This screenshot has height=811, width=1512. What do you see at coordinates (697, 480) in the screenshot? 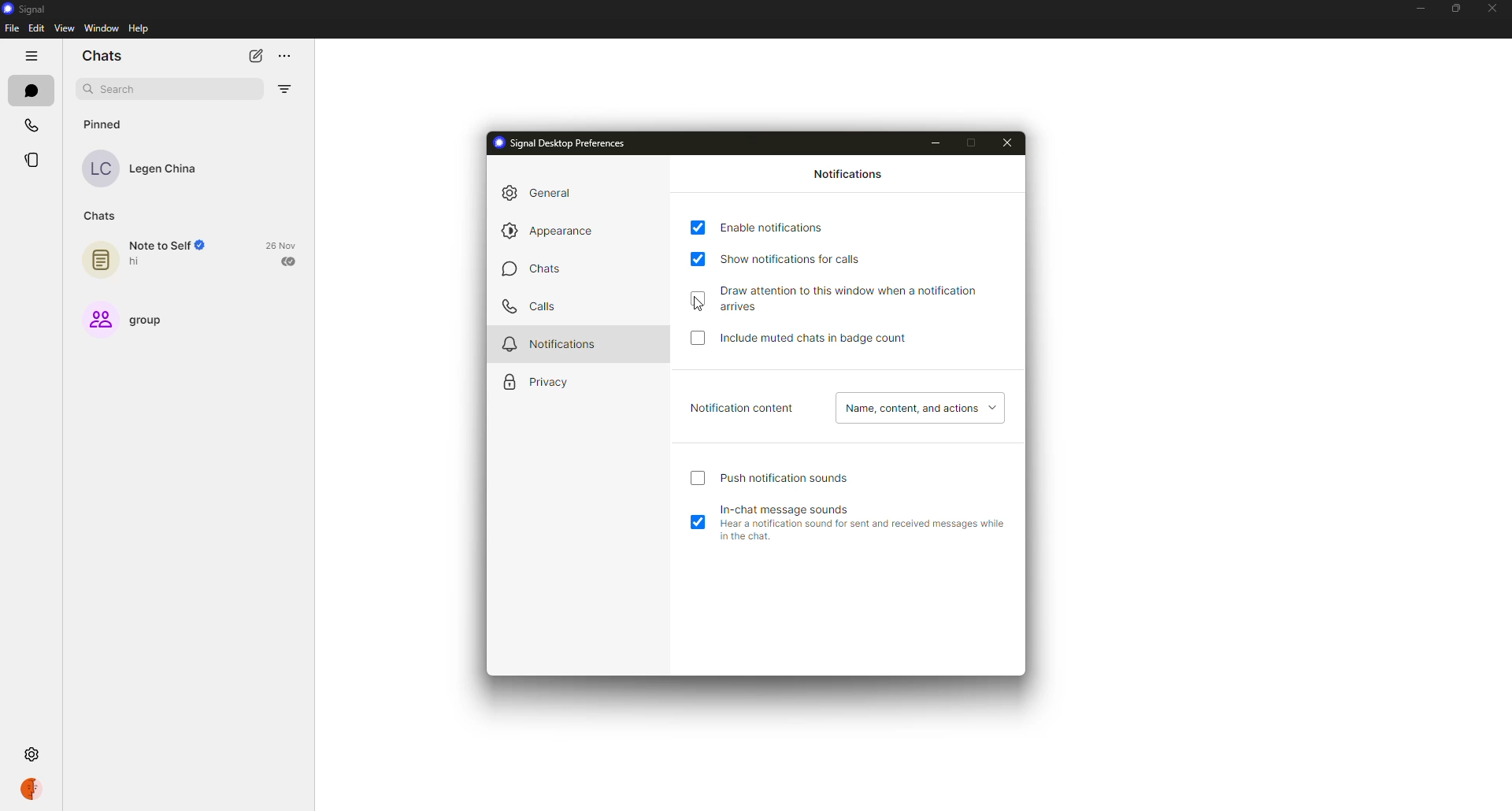
I see `click to enable` at bounding box center [697, 480].